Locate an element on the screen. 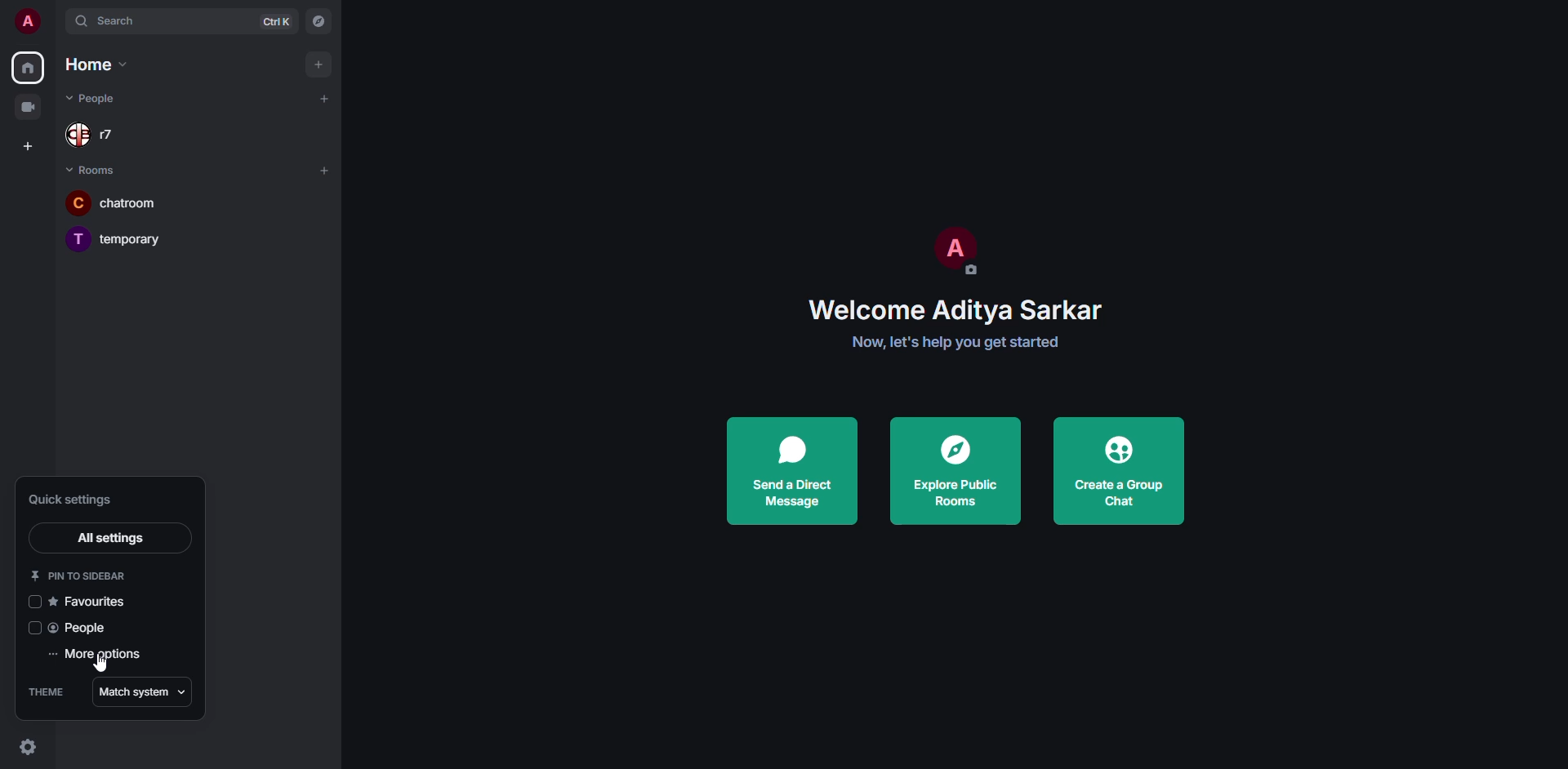  get started is located at coordinates (961, 343).